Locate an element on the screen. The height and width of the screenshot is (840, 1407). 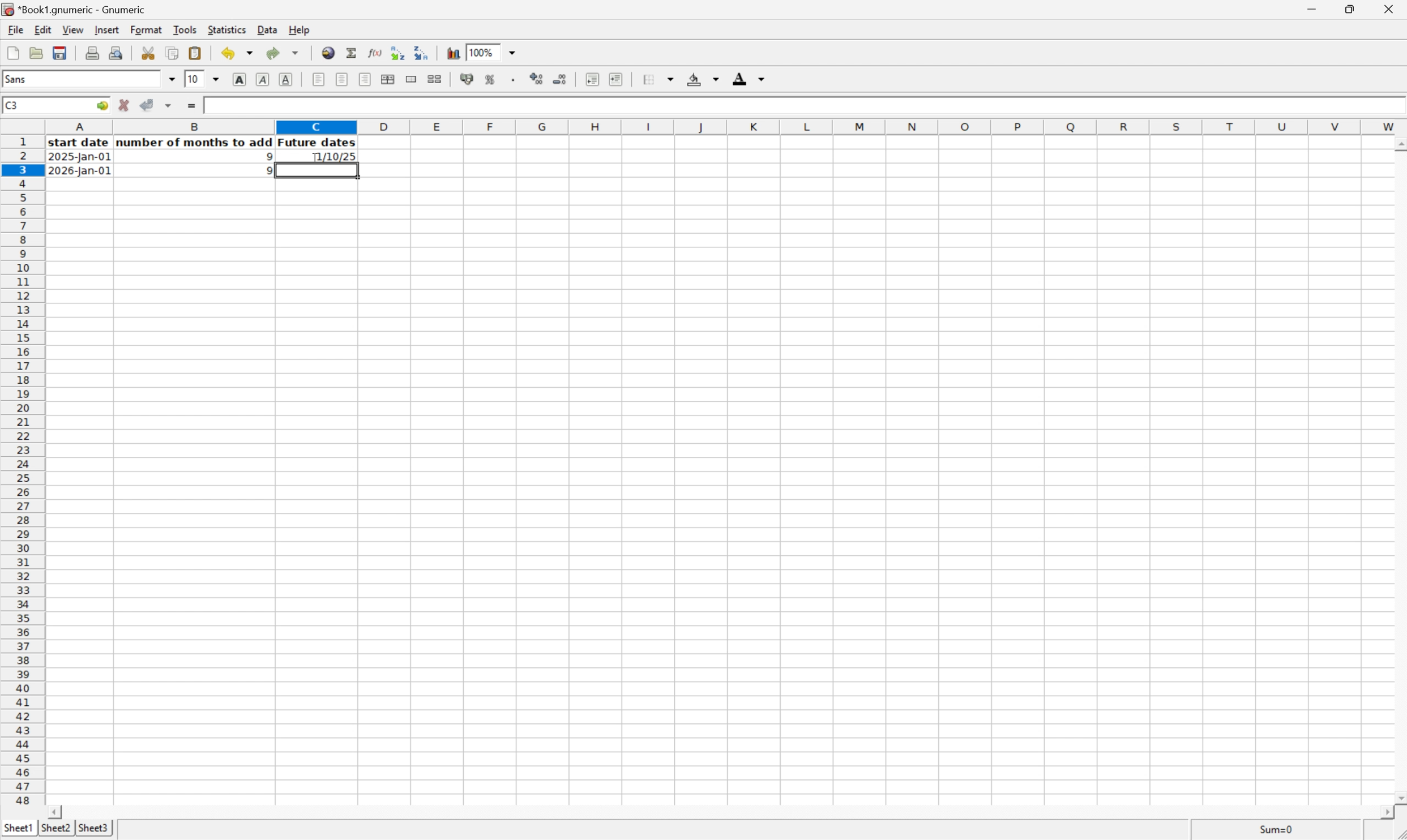
Cancel changes is located at coordinates (126, 105).